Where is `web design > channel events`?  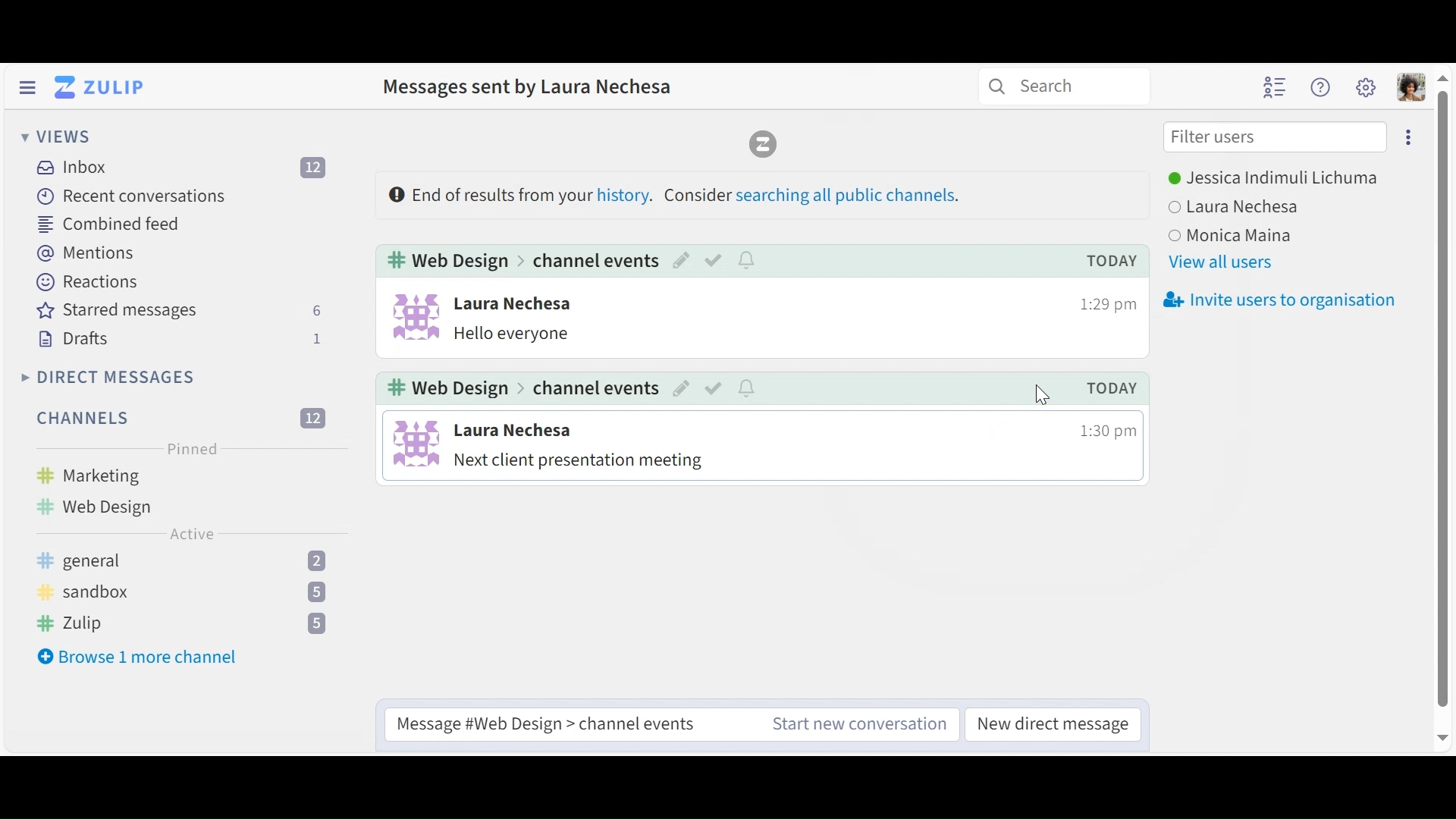 web design > channel events is located at coordinates (519, 389).